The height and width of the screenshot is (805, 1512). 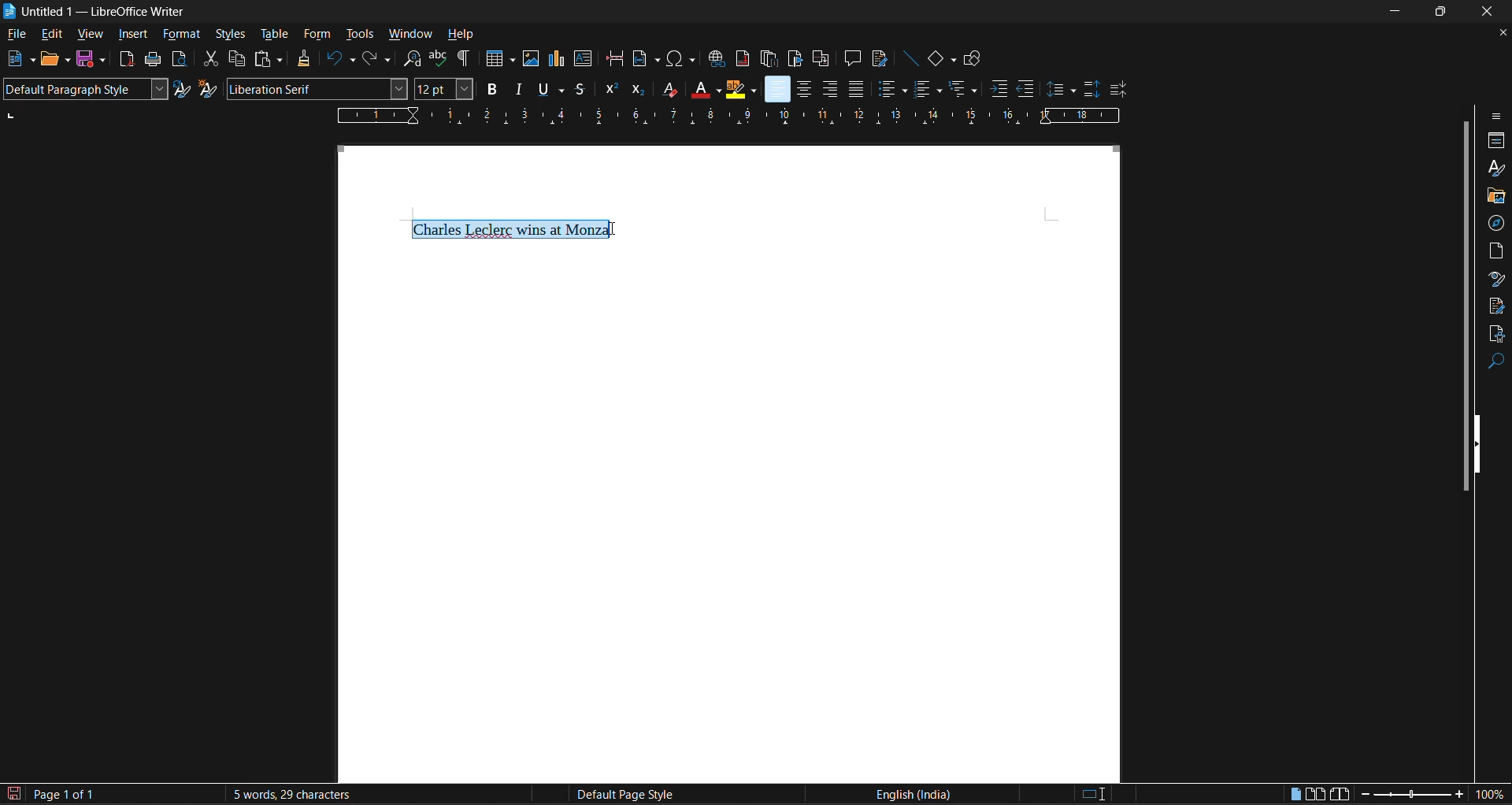 What do you see at coordinates (1496, 362) in the screenshot?
I see `find` at bounding box center [1496, 362].